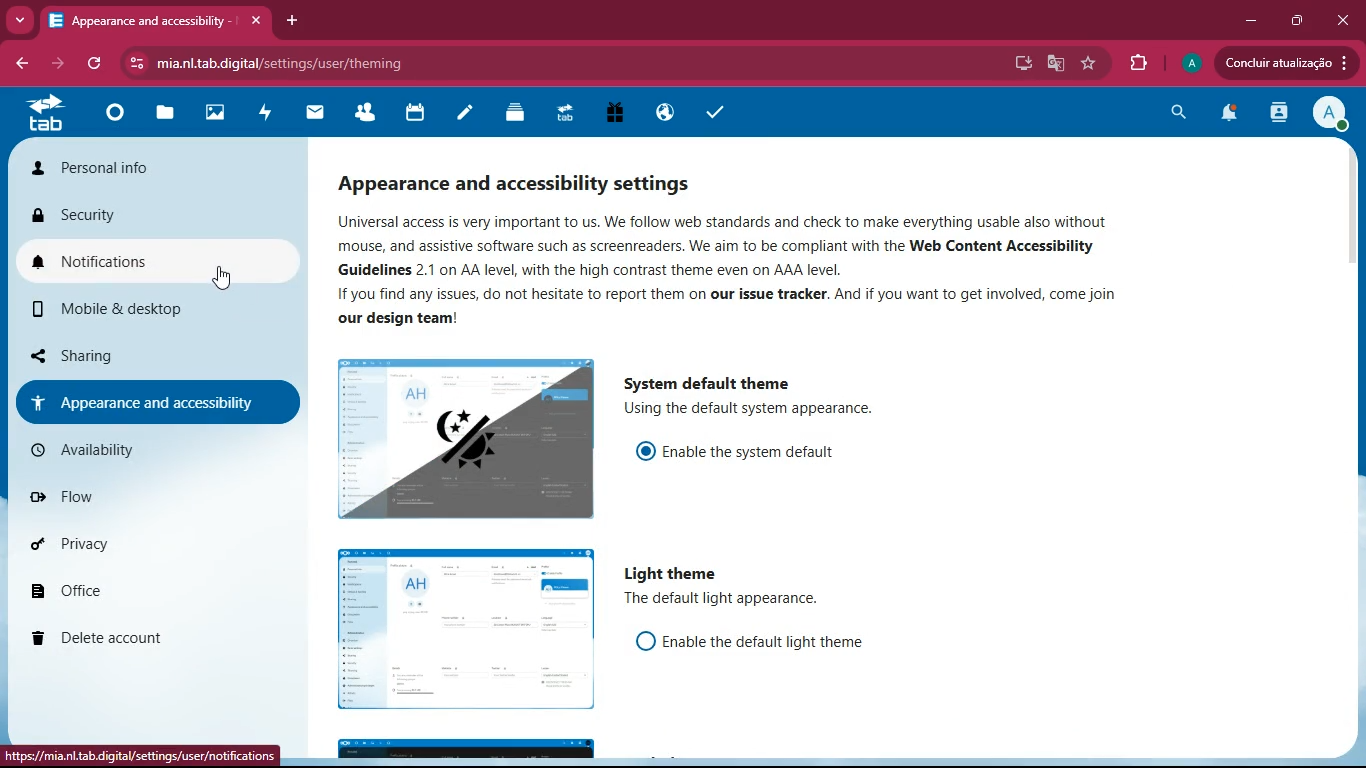  What do you see at coordinates (1281, 115) in the screenshot?
I see `activity` at bounding box center [1281, 115].